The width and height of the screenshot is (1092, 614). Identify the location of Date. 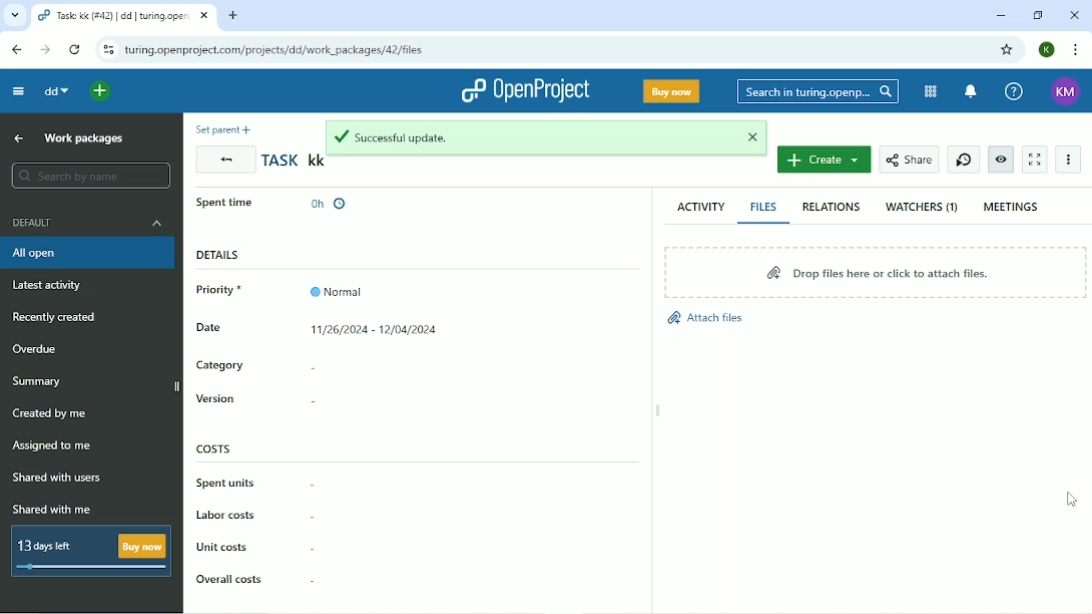
(223, 331).